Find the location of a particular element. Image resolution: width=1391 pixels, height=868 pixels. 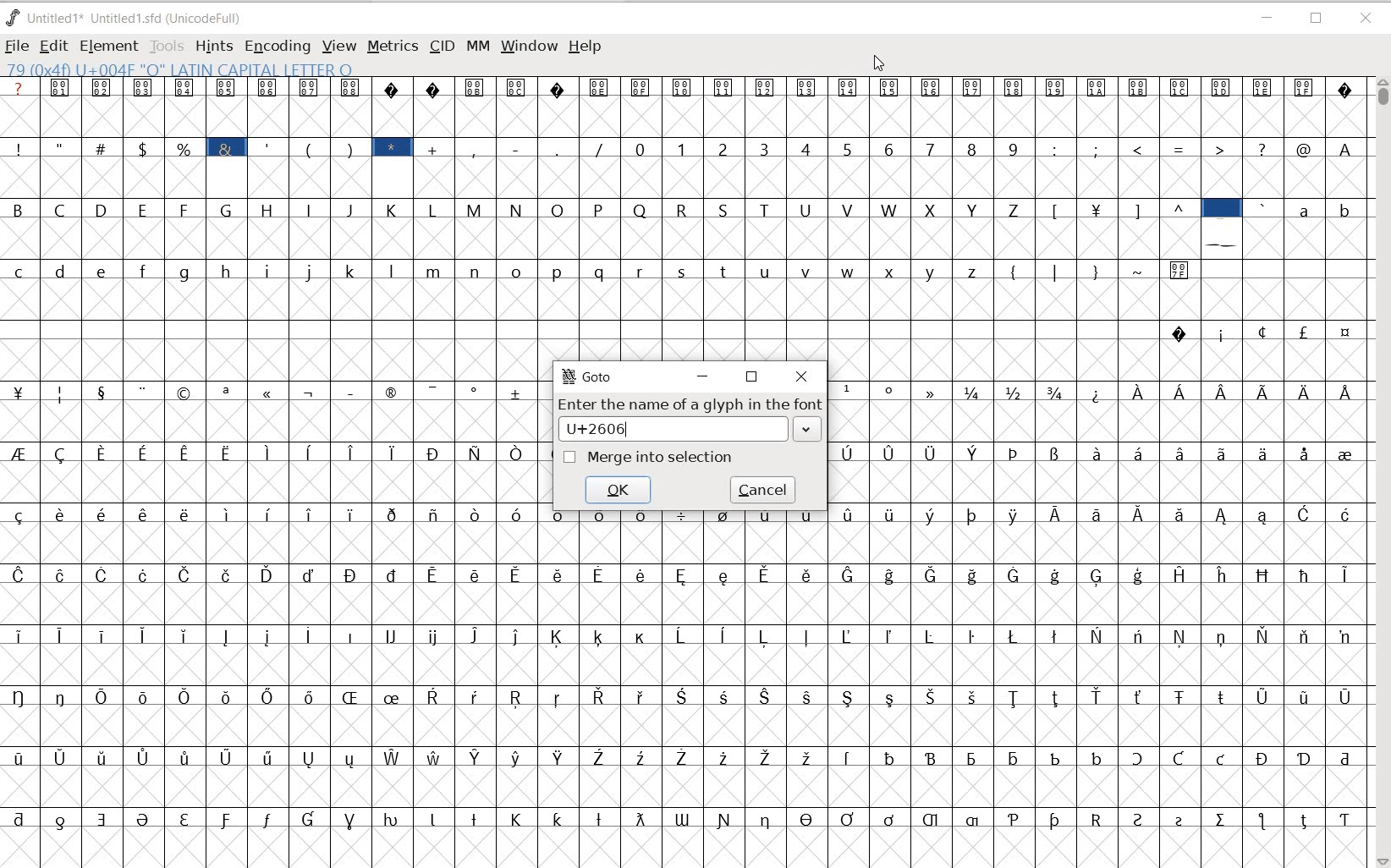

expand is located at coordinates (809, 430).